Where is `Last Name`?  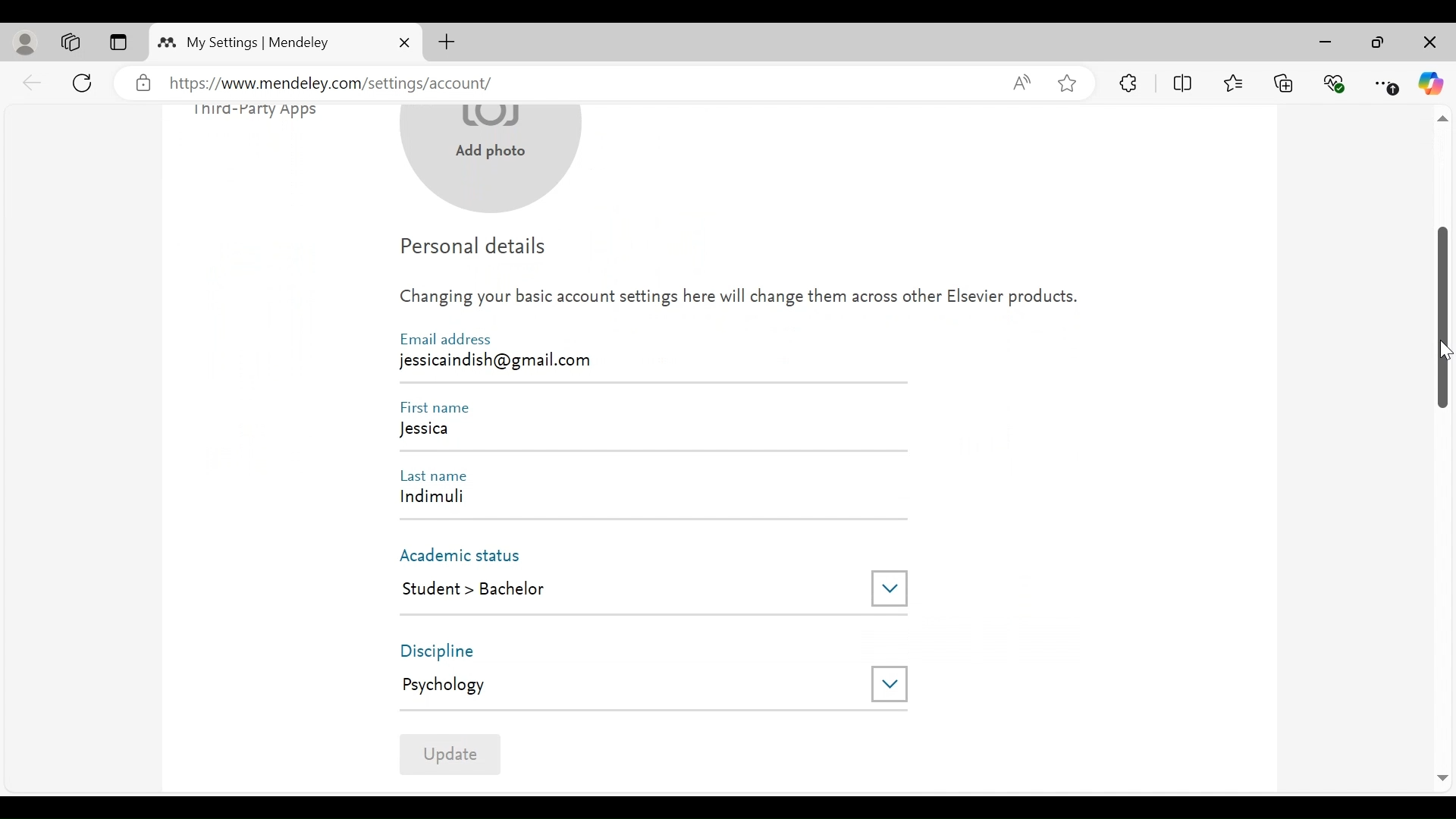
Last Name is located at coordinates (440, 474).